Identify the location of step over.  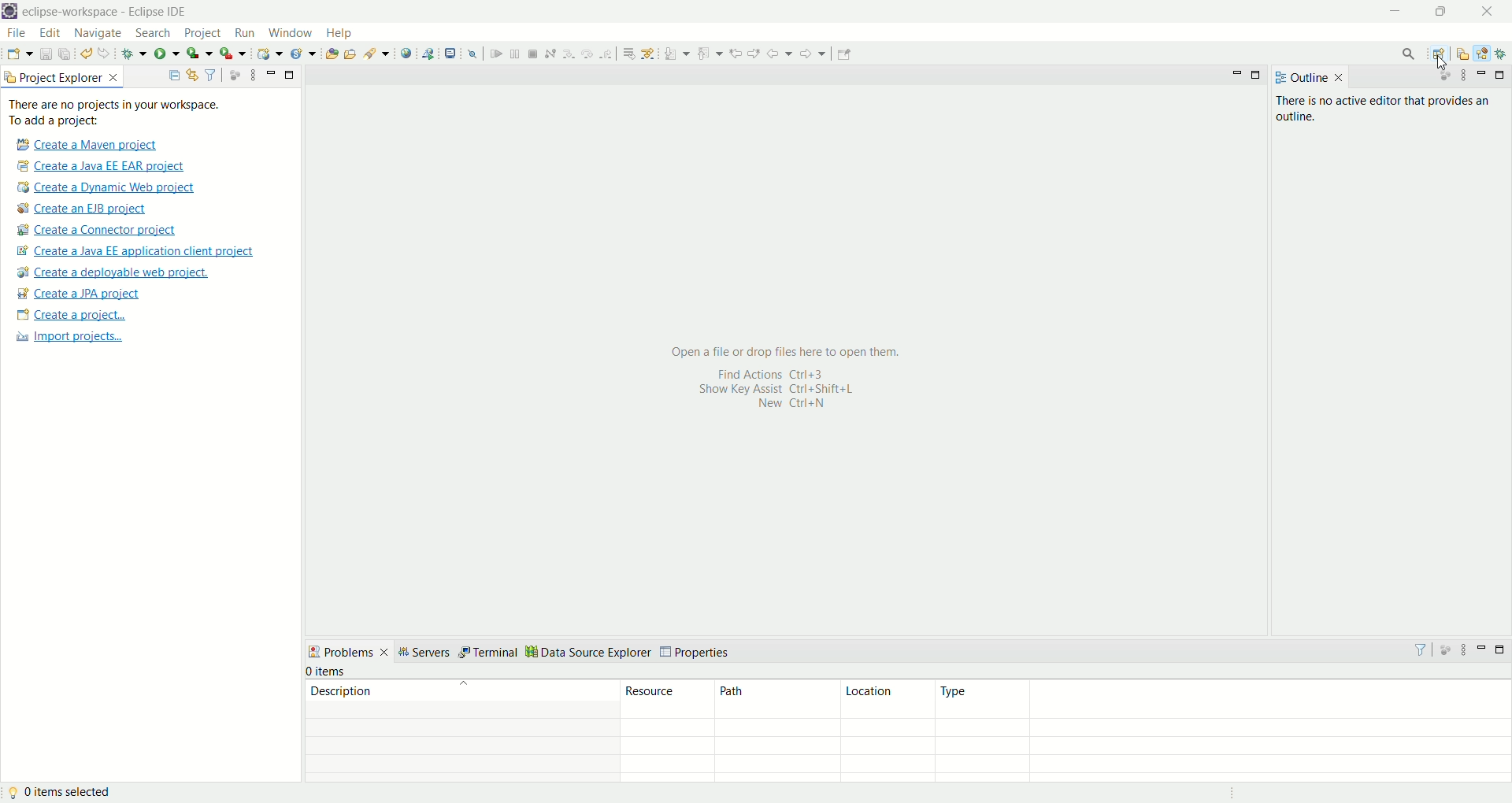
(587, 54).